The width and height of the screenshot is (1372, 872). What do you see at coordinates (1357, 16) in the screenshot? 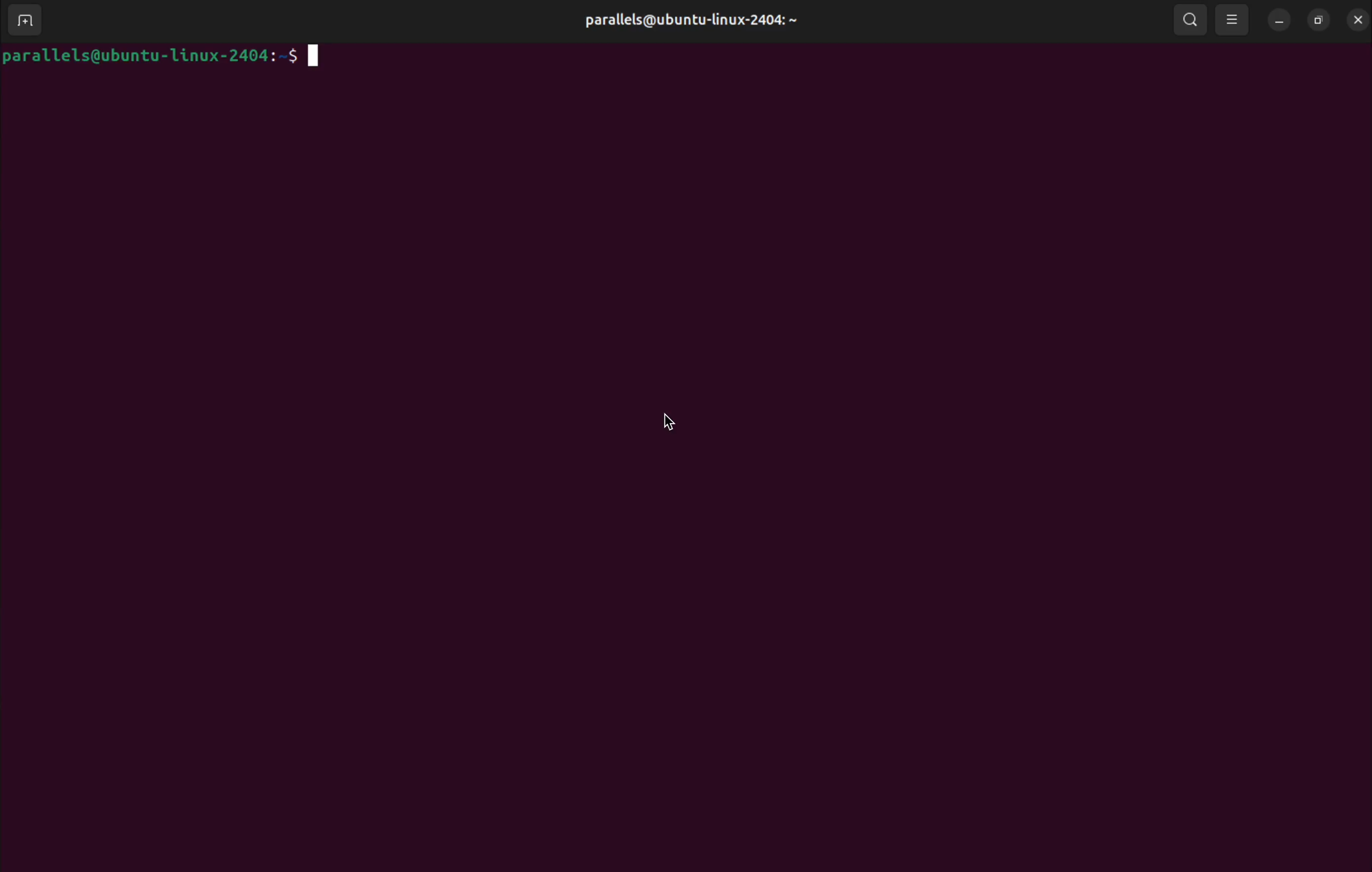
I see `close` at bounding box center [1357, 16].